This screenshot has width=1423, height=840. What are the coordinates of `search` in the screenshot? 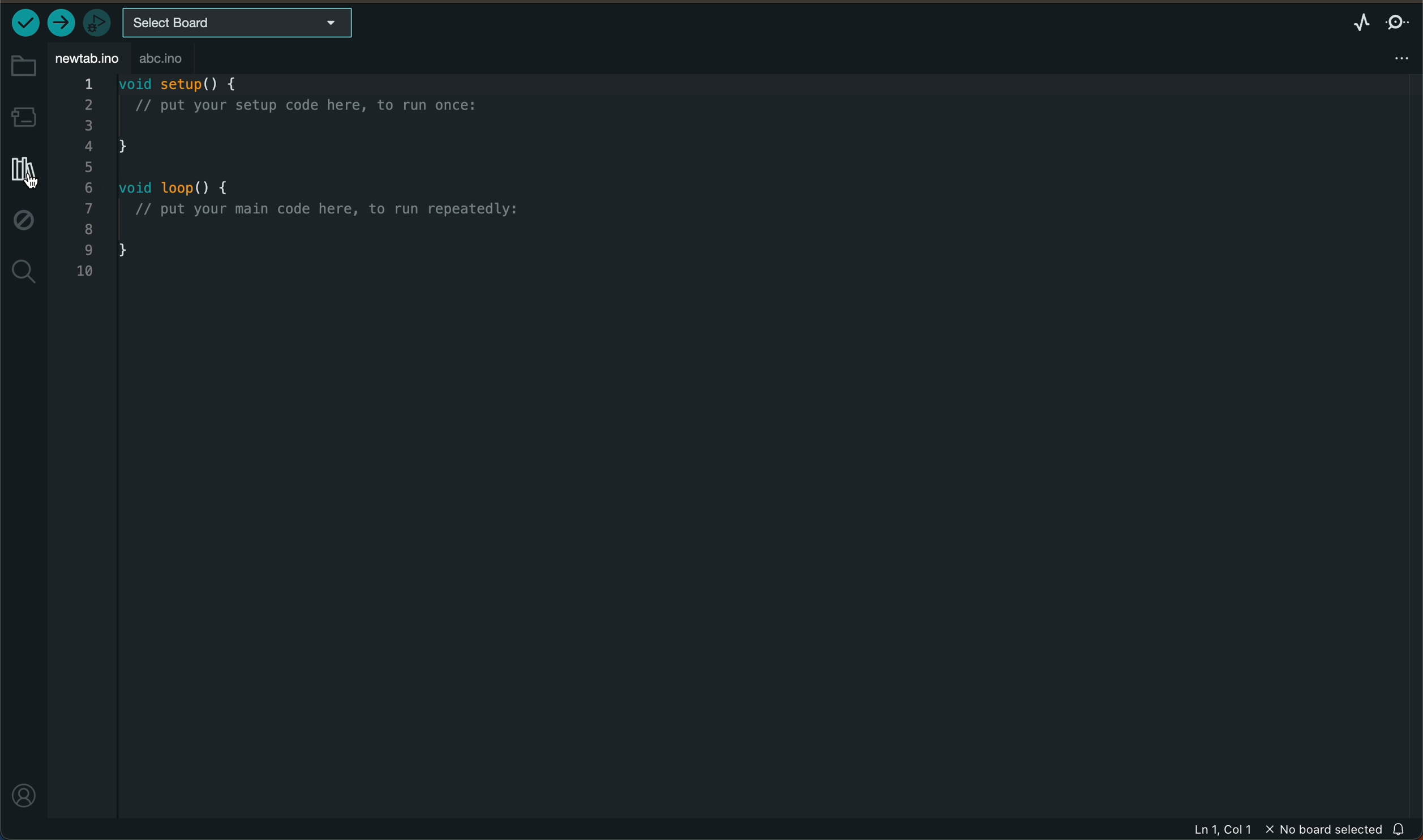 It's located at (24, 273).